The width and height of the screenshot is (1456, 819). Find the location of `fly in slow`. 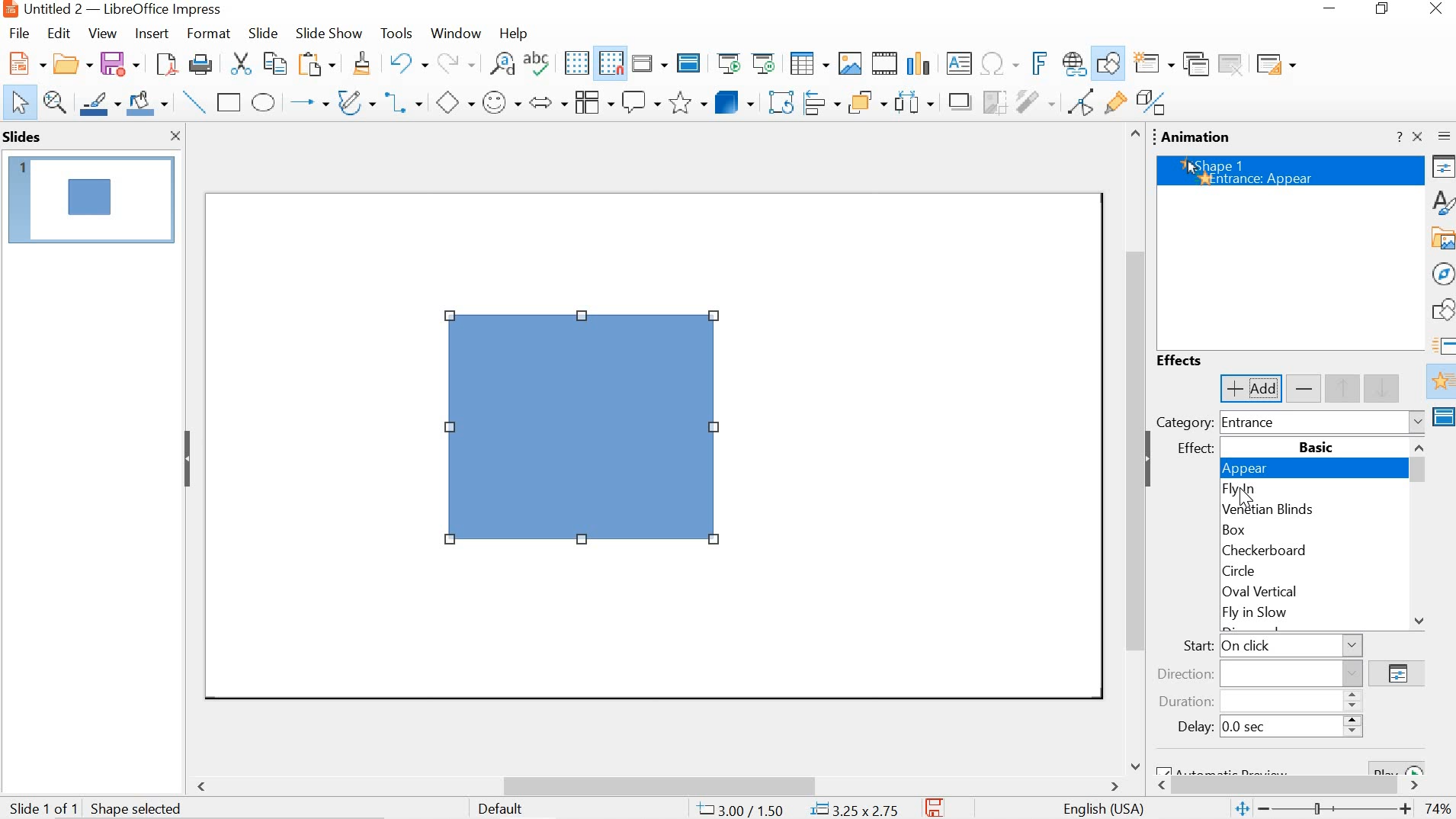

fly in slow is located at coordinates (1292, 612).